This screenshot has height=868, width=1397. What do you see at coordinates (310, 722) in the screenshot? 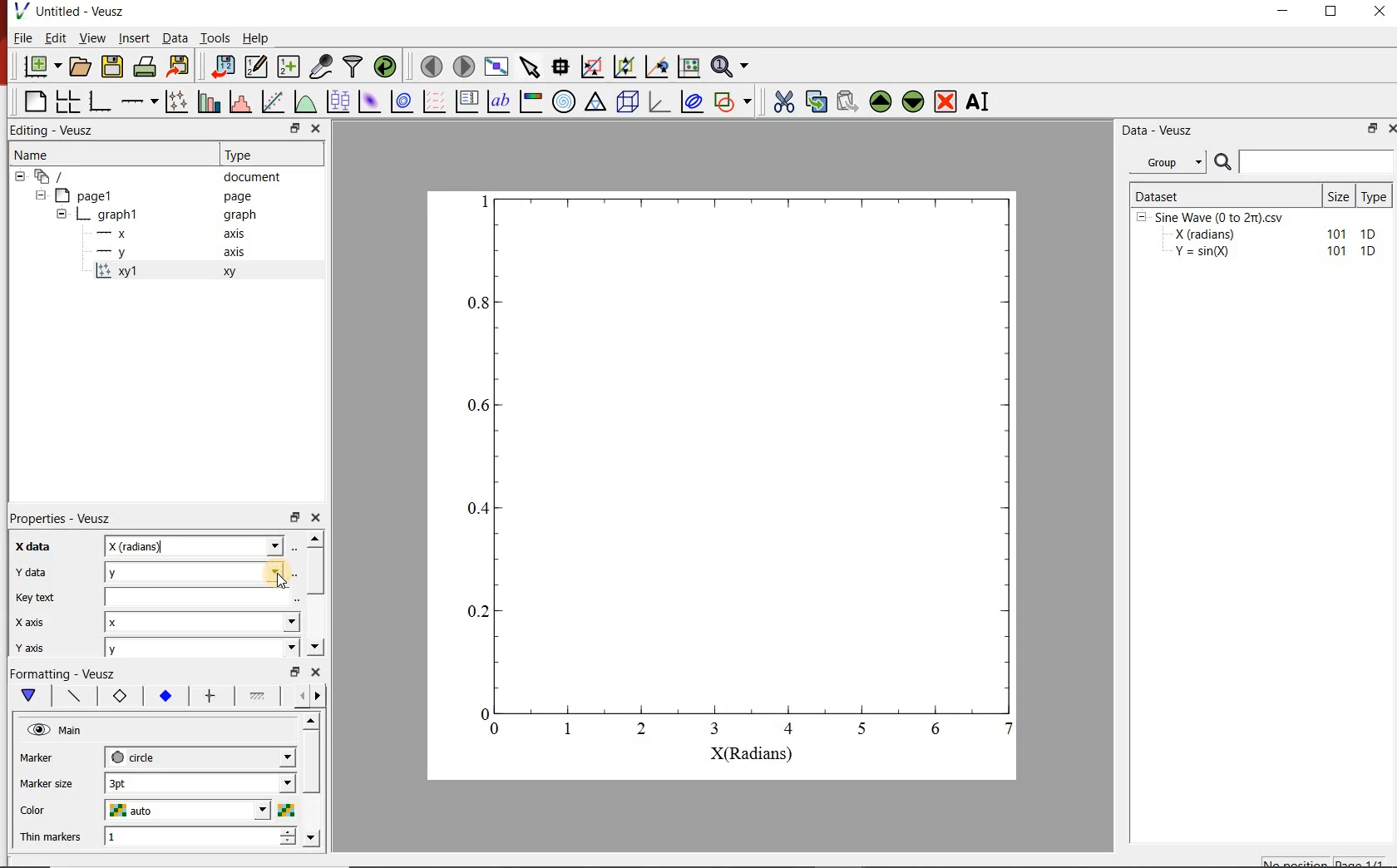
I see `Up` at bounding box center [310, 722].